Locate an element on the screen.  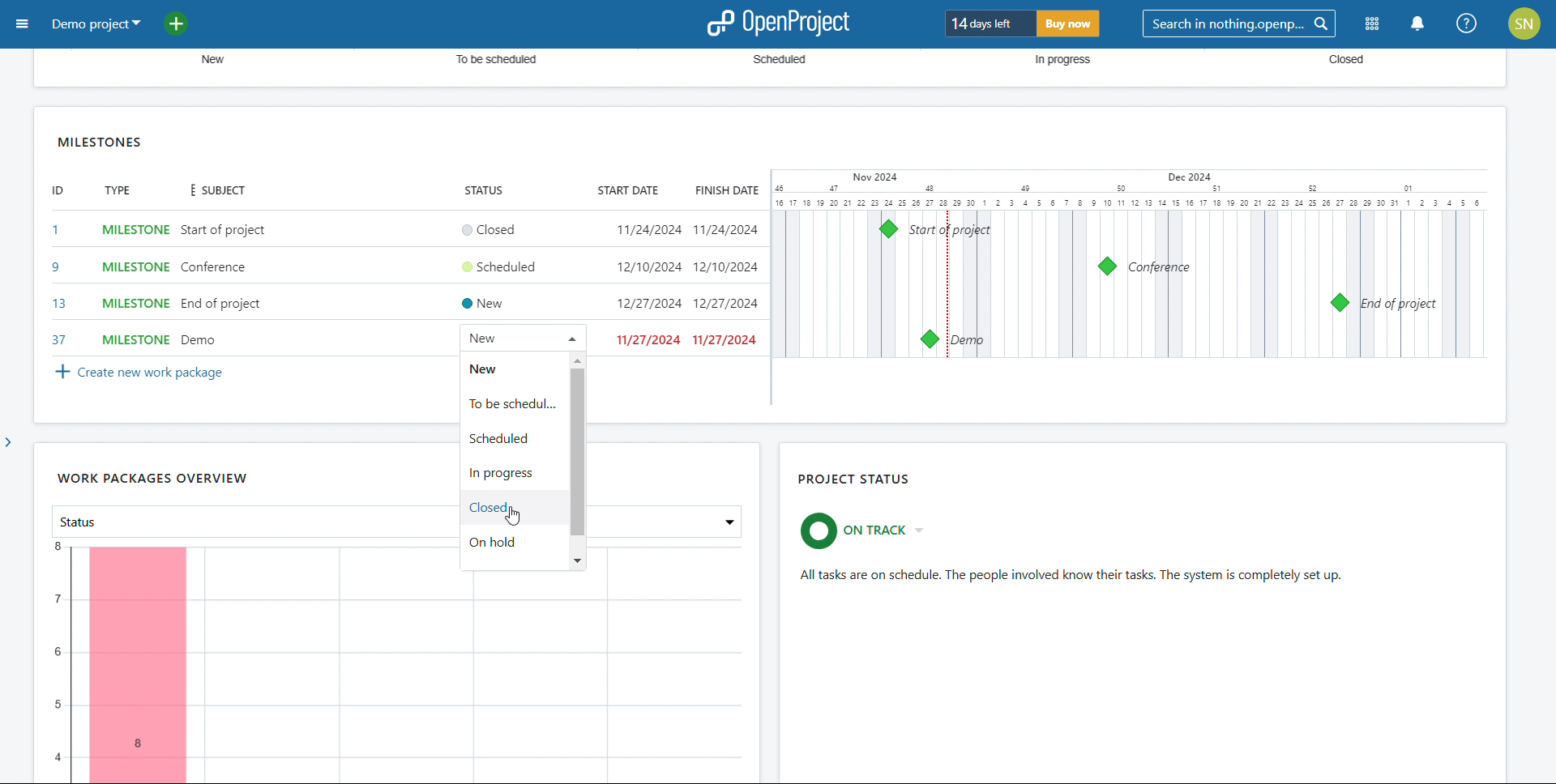
account is located at coordinates (1524, 23).